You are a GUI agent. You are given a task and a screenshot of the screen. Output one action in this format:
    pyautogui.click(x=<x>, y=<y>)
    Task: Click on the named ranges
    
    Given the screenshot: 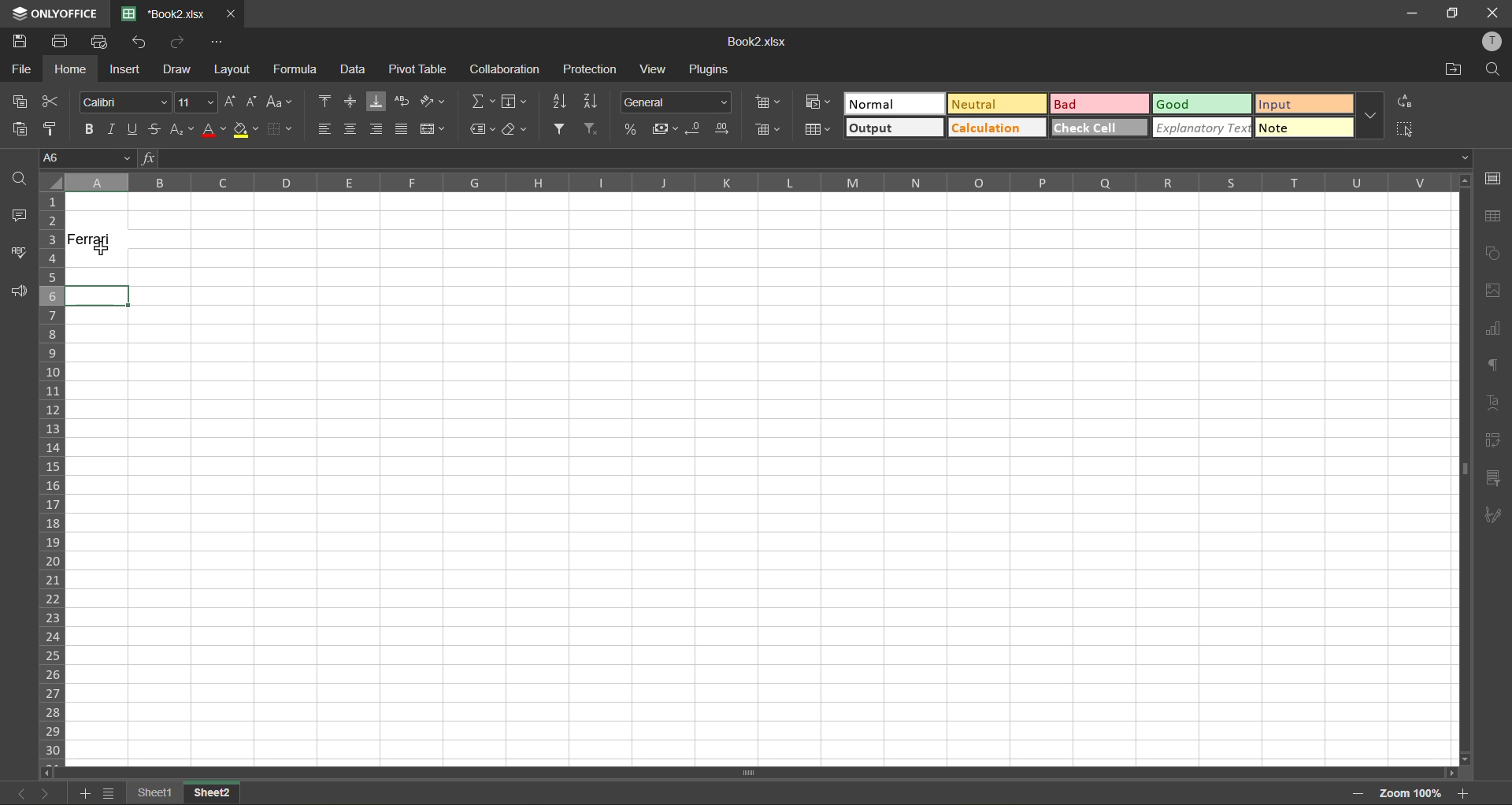 What is the action you would take?
    pyautogui.click(x=483, y=130)
    